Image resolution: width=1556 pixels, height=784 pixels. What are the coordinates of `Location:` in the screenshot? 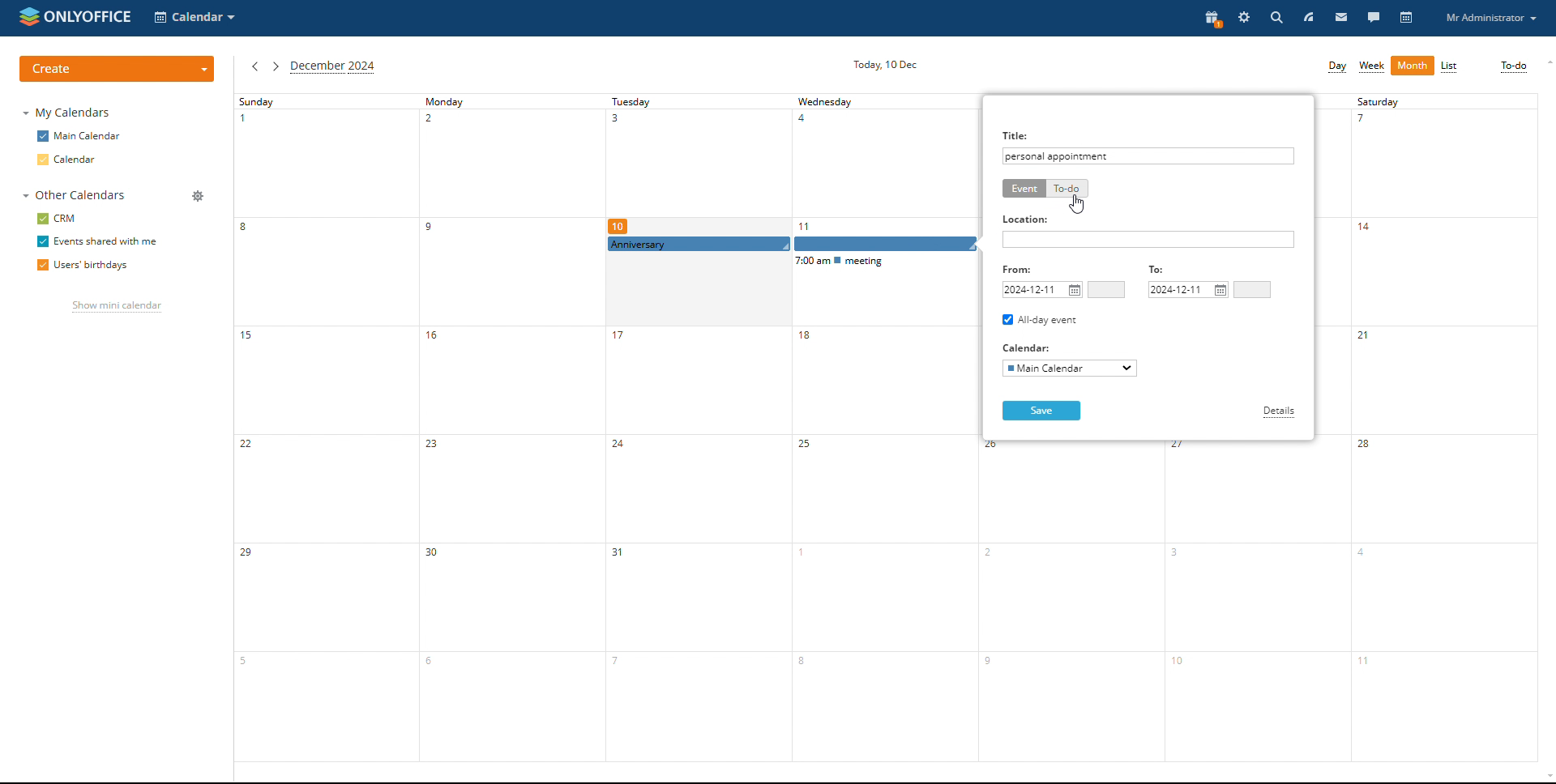 It's located at (1027, 219).